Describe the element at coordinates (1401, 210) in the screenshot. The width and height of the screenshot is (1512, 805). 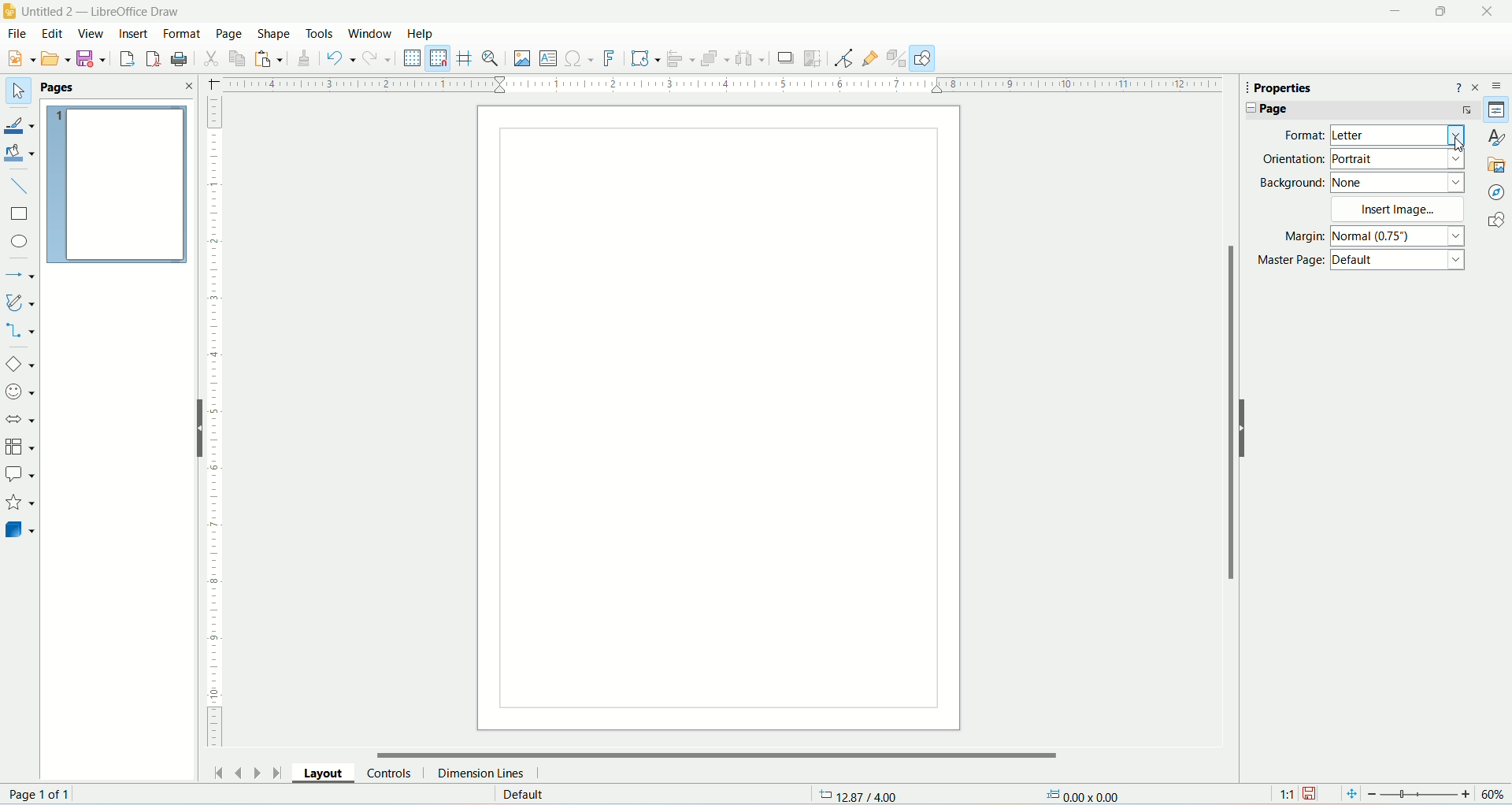
I see `insert image` at that location.